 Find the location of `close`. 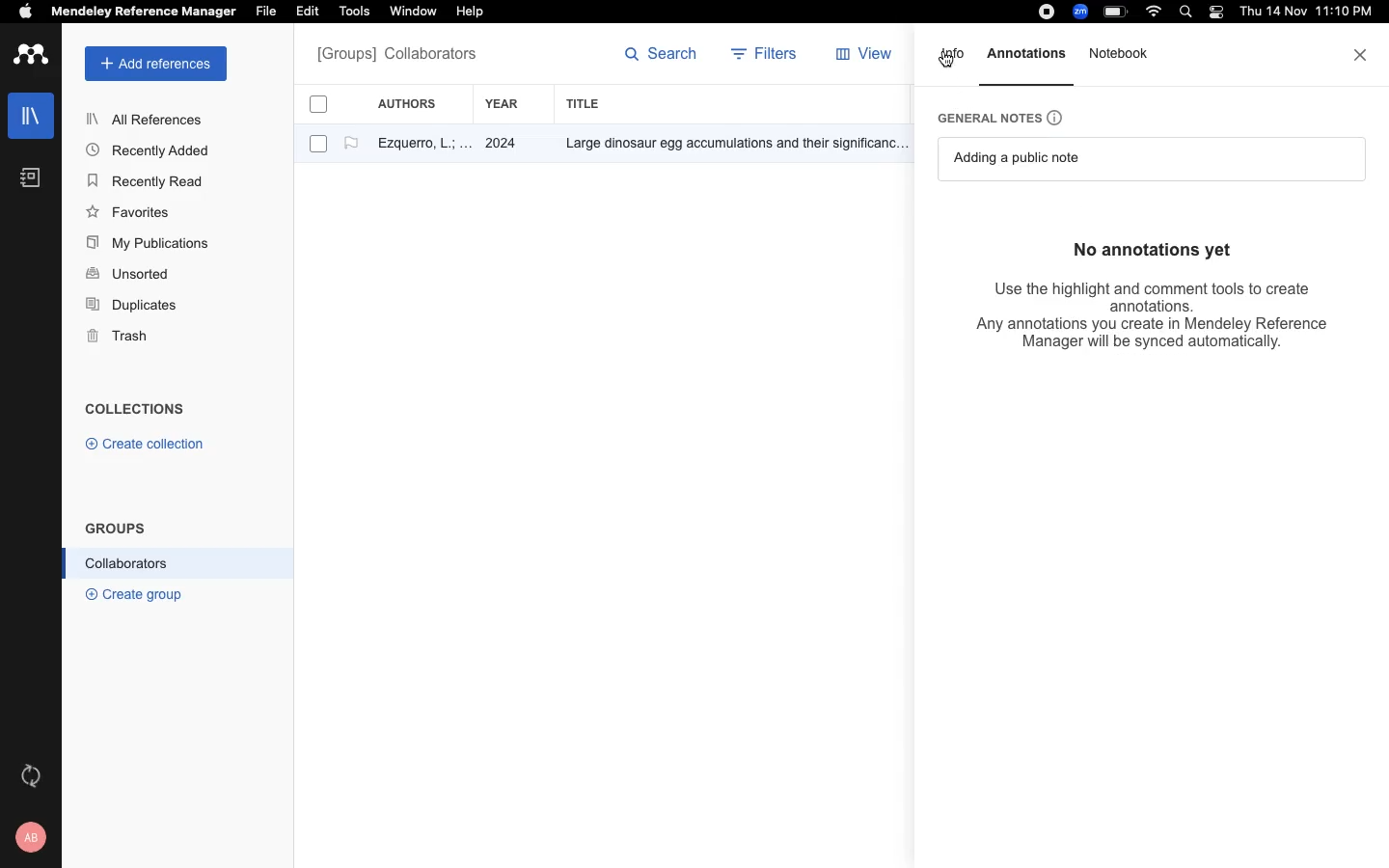

close is located at coordinates (1362, 55).